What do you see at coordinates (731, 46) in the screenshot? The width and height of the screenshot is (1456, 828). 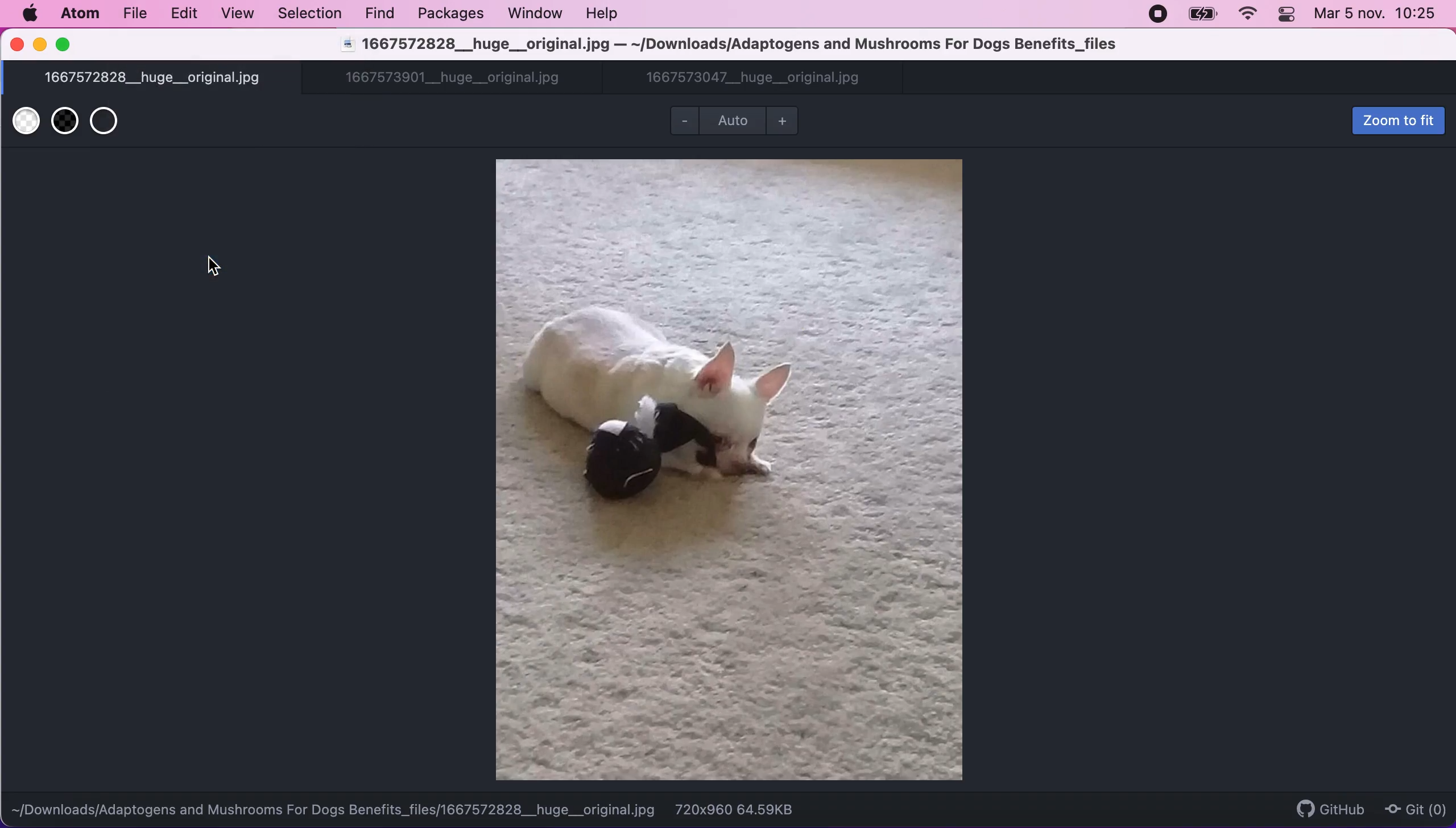 I see `1667572828__huge__original.jpg — ~/Downloads/Adaptogens and Mushrooms For Dogs Benefits_files` at bounding box center [731, 46].